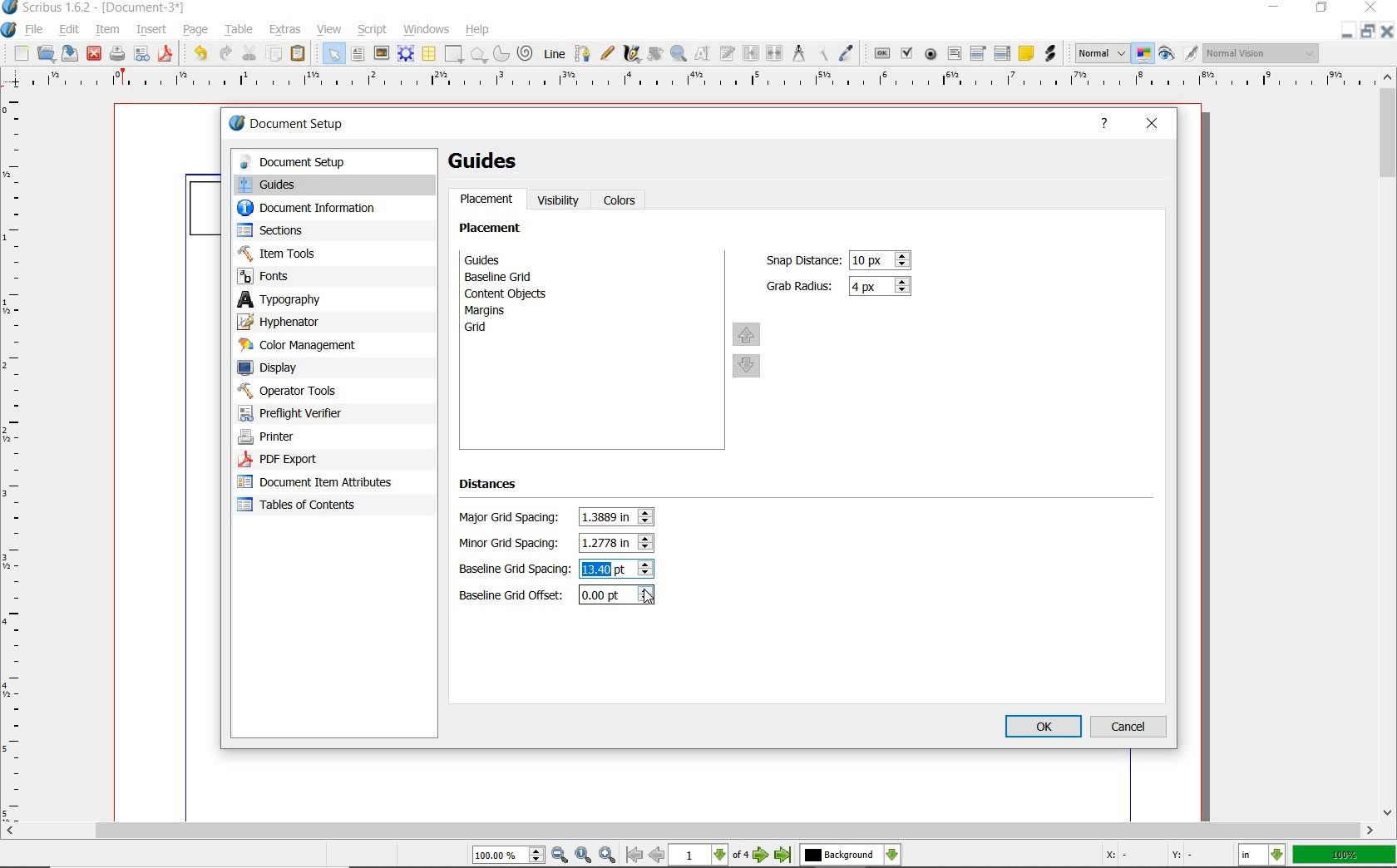  I want to click on new, so click(19, 53).